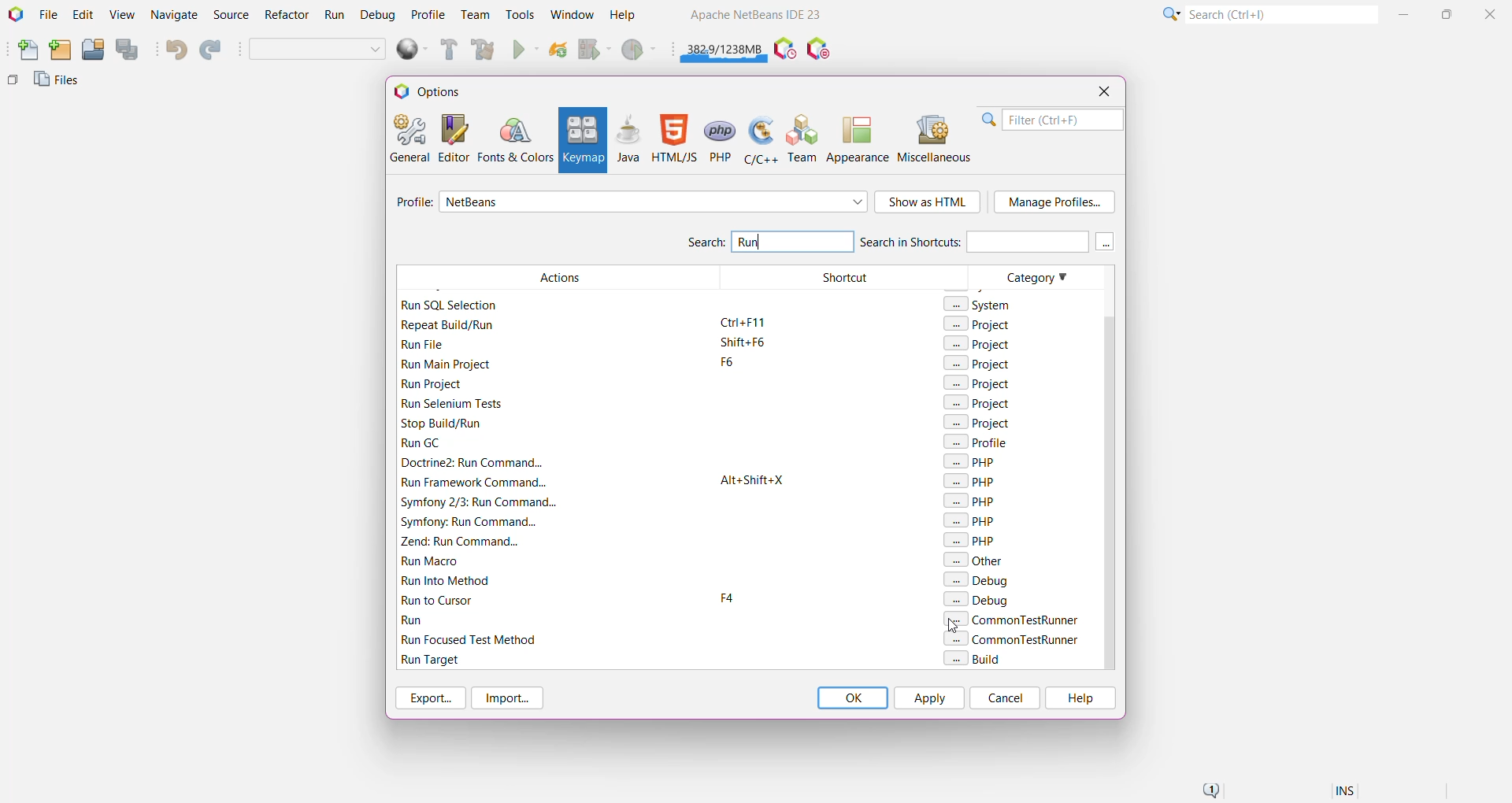  What do you see at coordinates (1103, 91) in the screenshot?
I see `Close` at bounding box center [1103, 91].